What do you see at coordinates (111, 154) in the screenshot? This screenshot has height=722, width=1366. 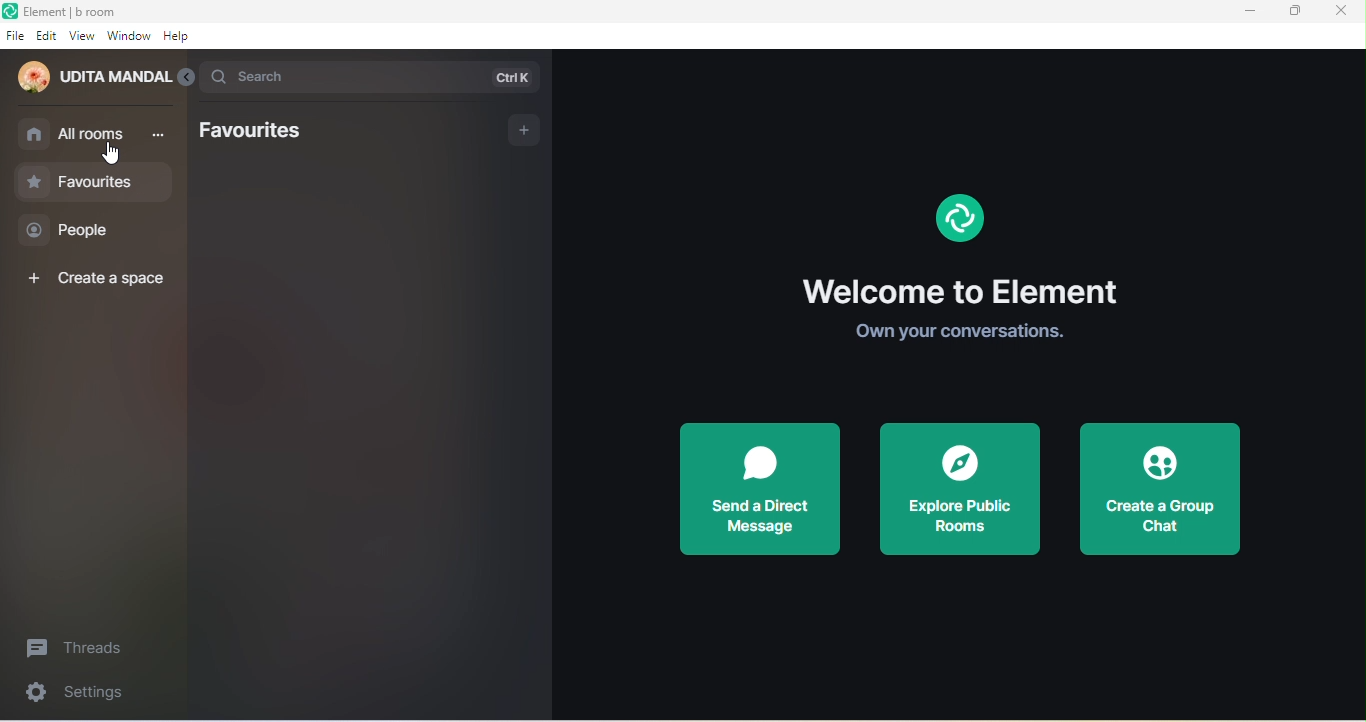 I see `cursor` at bounding box center [111, 154].